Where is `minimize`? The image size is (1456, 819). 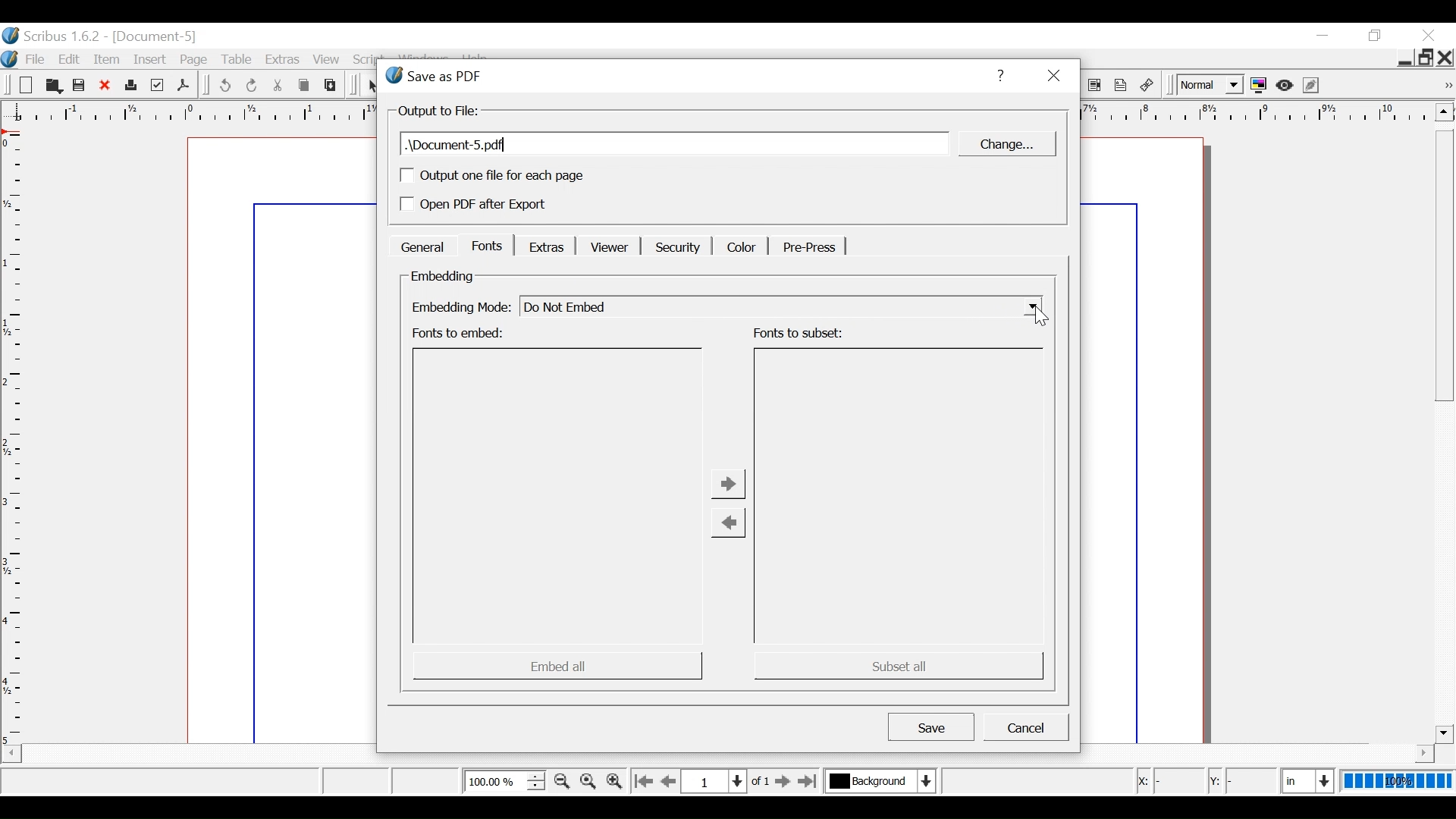 minimize is located at coordinates (1322, 36).